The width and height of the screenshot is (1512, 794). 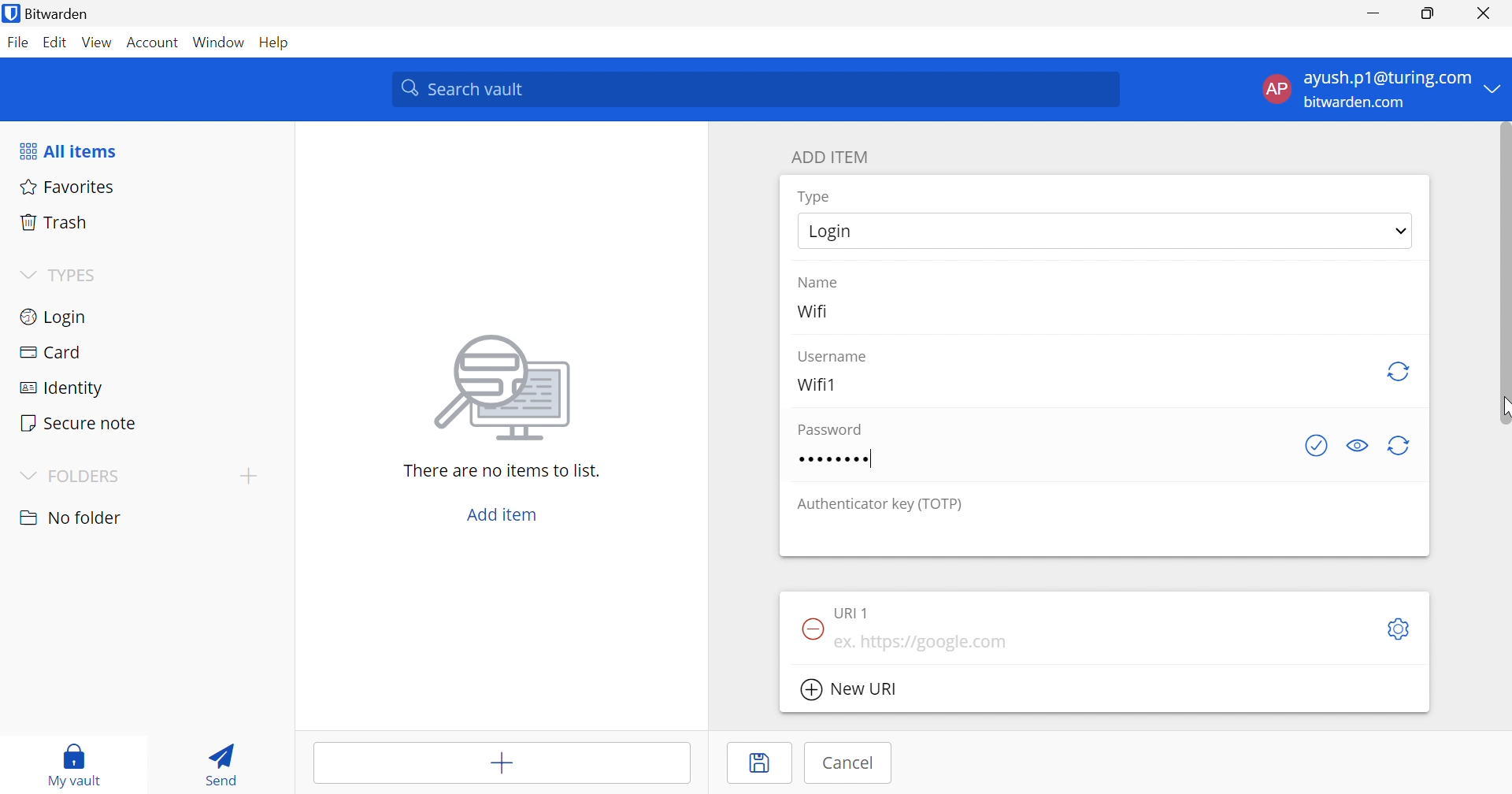 I want to click on Search vault, so click(x=754, y=89).